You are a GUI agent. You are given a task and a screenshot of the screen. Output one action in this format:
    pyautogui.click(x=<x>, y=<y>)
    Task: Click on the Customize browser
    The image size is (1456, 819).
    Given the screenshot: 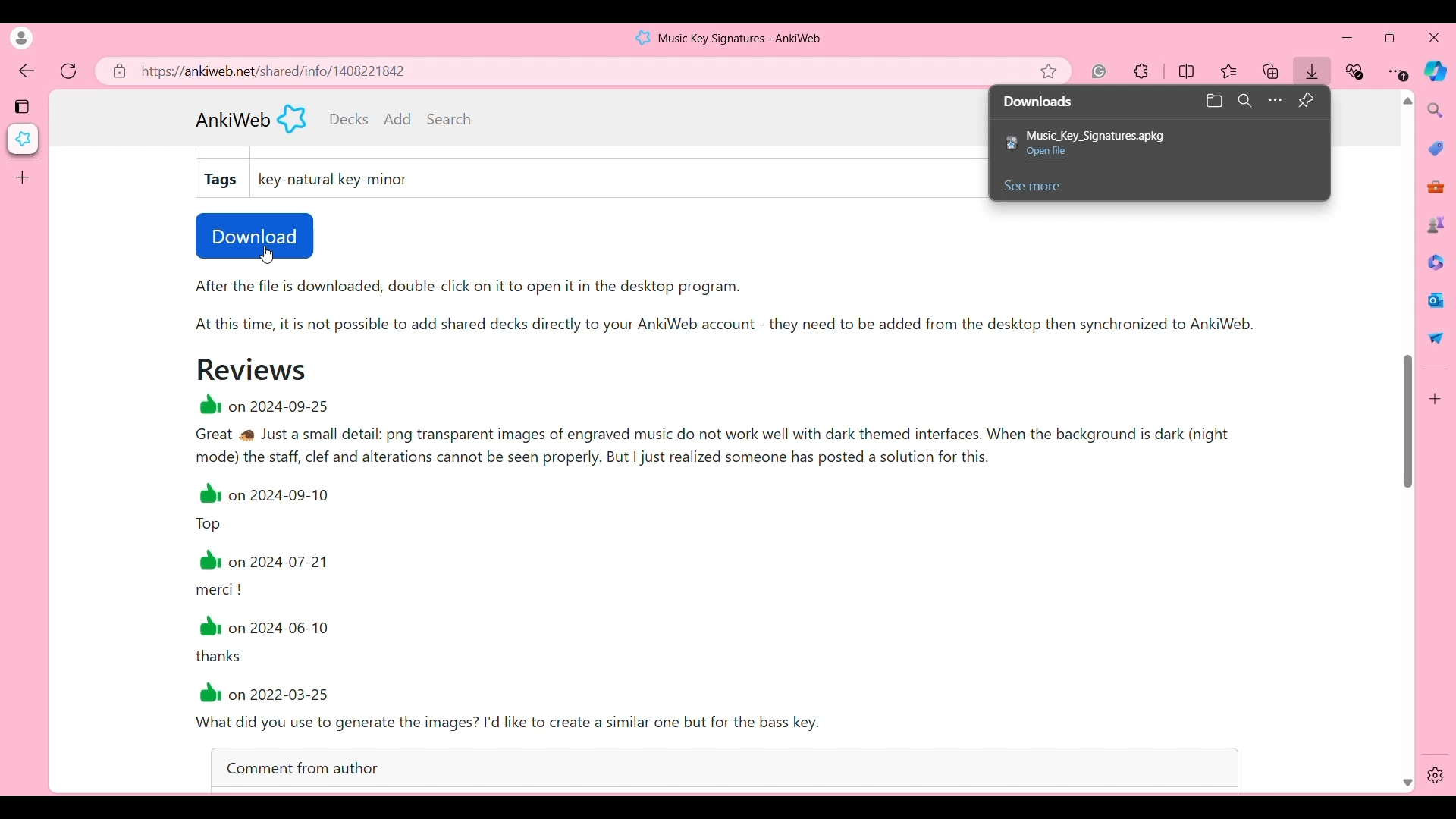 What is the action you would take?
    pyautogui.click(x=1436, y=399)
    